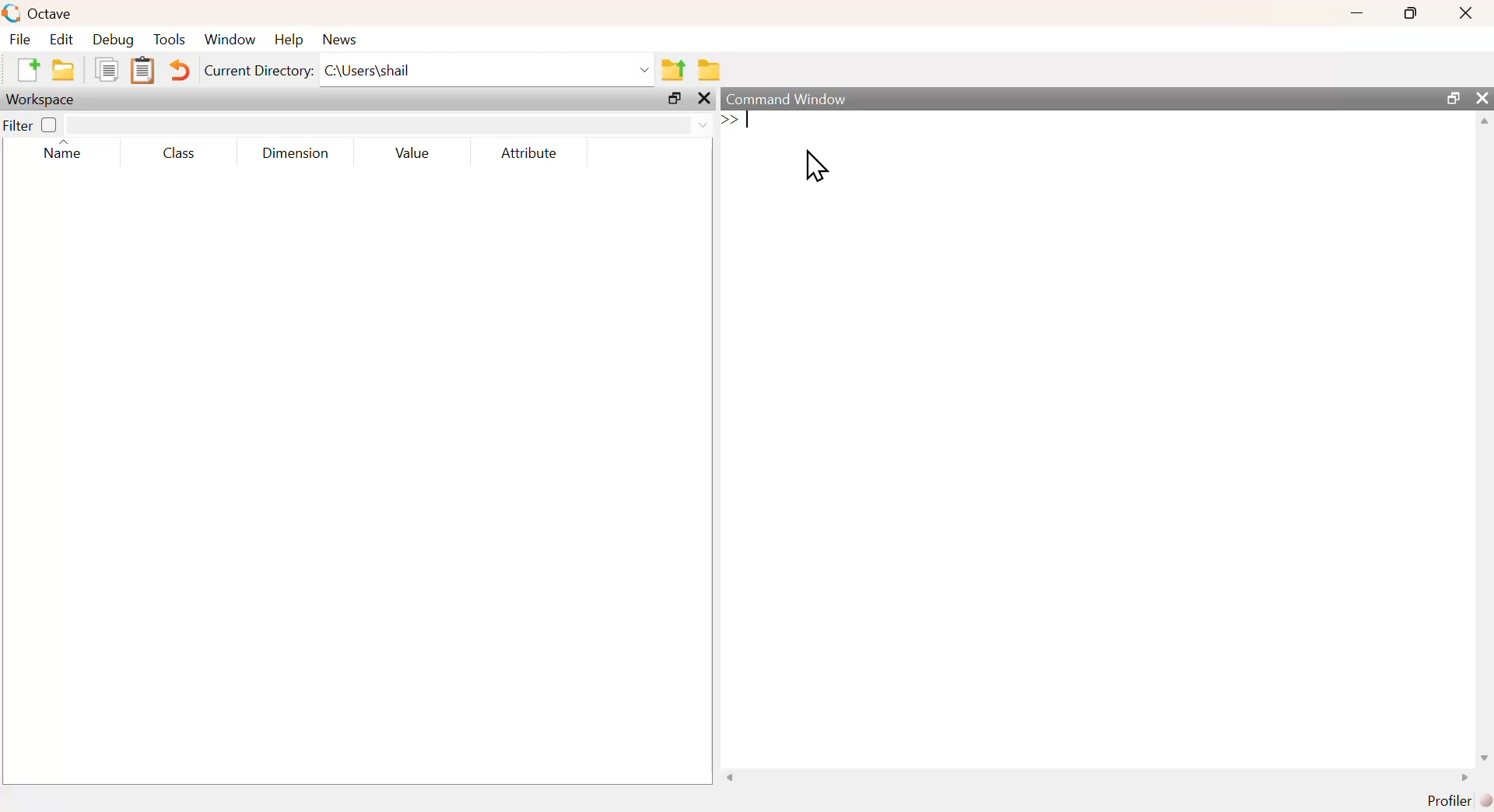  Describe the element at coordinates (675, 68) in the screenshot. I see `one directory up` at that location.